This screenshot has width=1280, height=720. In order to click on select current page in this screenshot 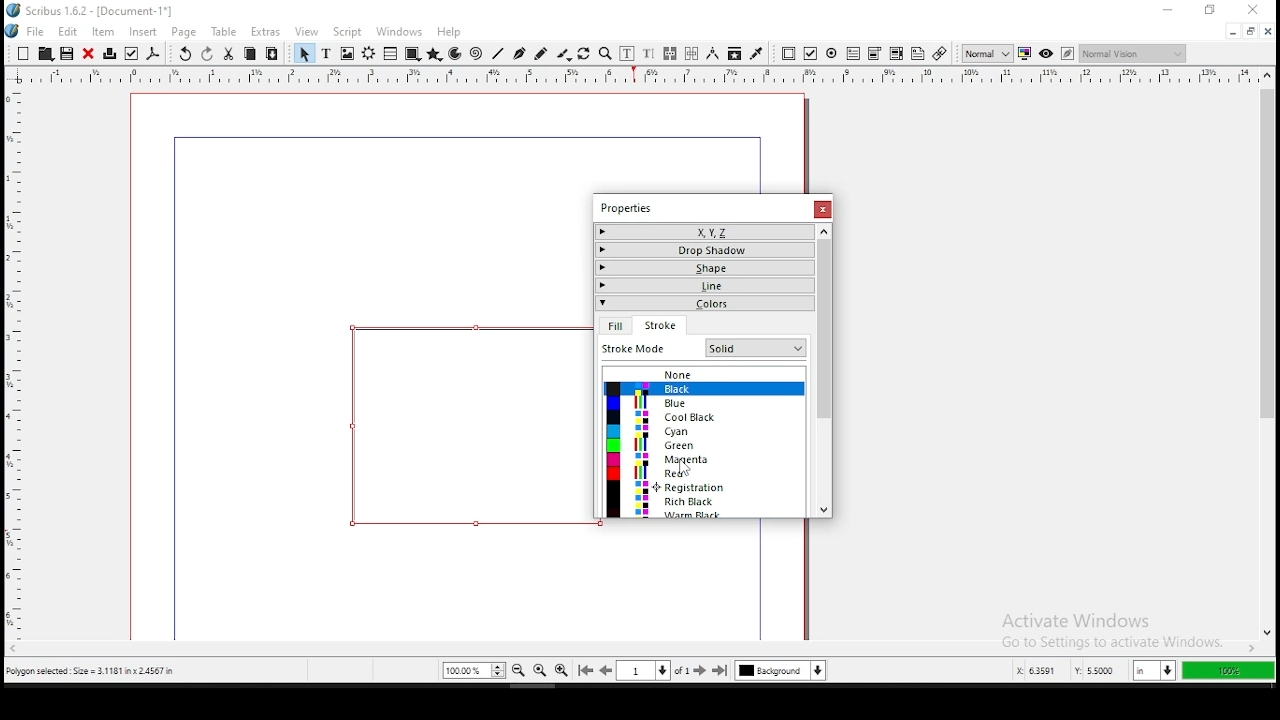, I will do `click(643, 669)`.